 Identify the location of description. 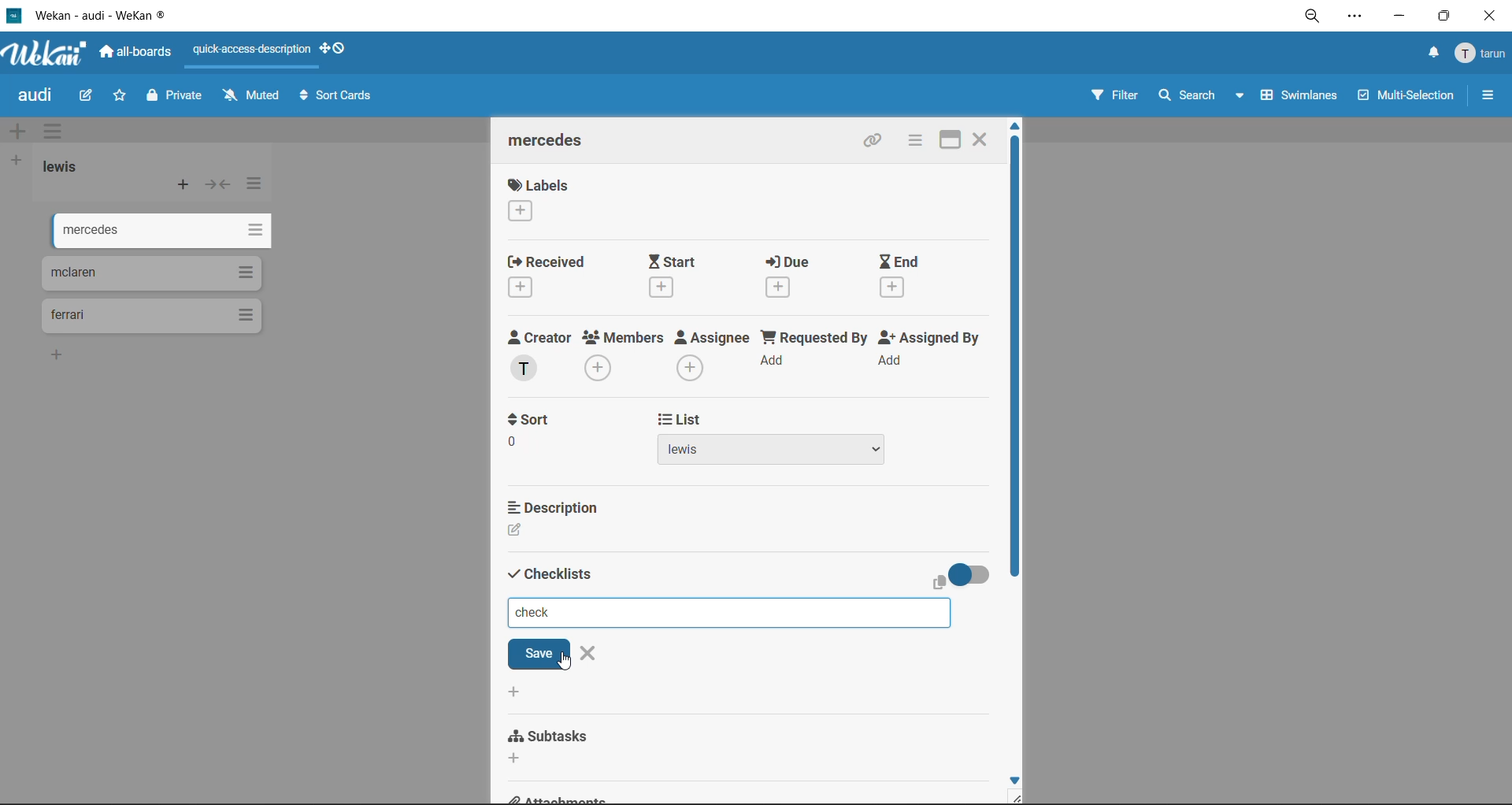
(554, 505).